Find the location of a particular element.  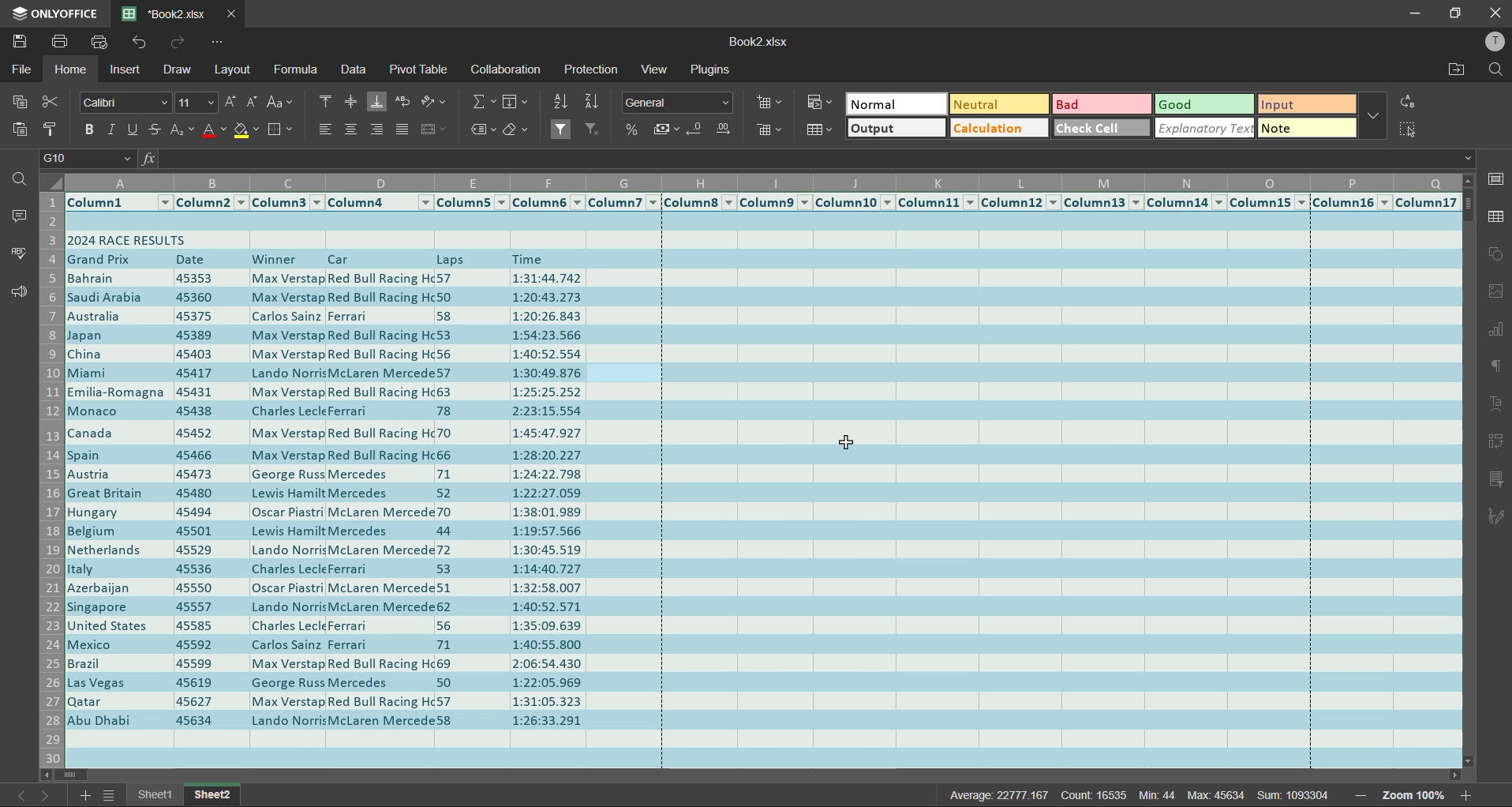

save is located at coordinates (62, 44).